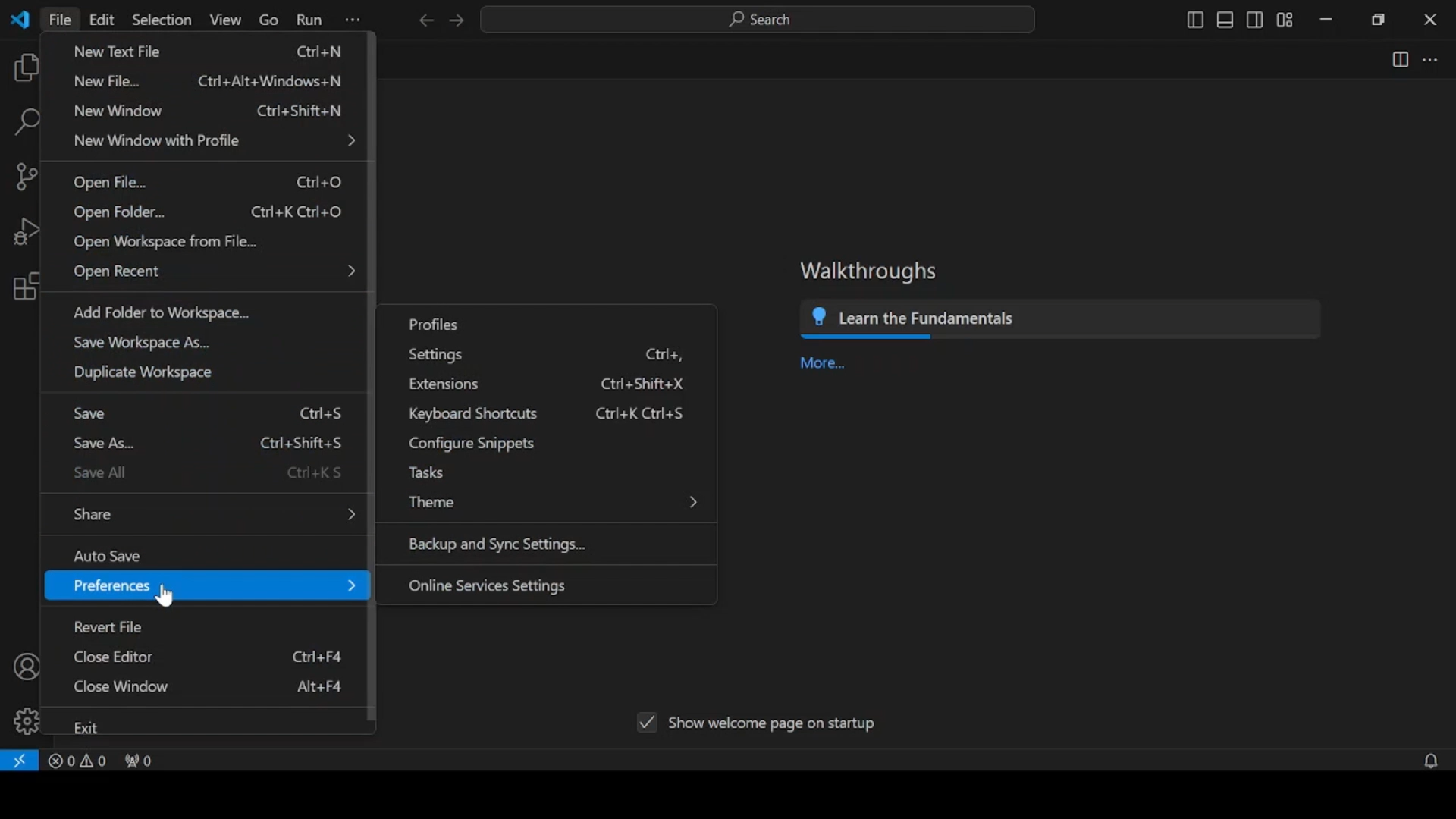 The image size is (1456, 819). Describe the element at coordinates (322, 412) in the screenshot. I see `Ctrl+S` at that location.